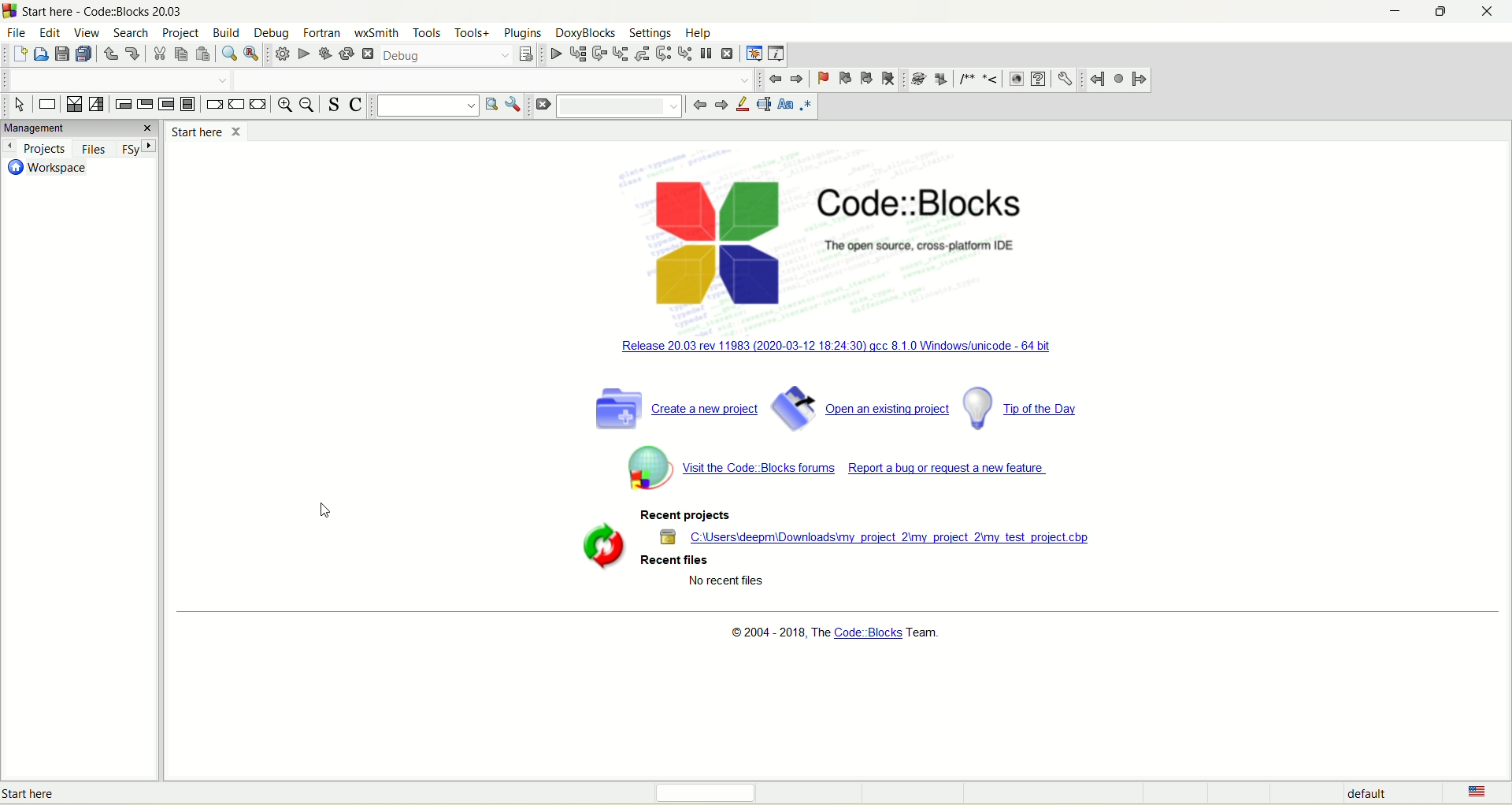  What do you see at coordinates (140, 148) in the screenshot?
I see `FSy` at bounding box center [140, 148].